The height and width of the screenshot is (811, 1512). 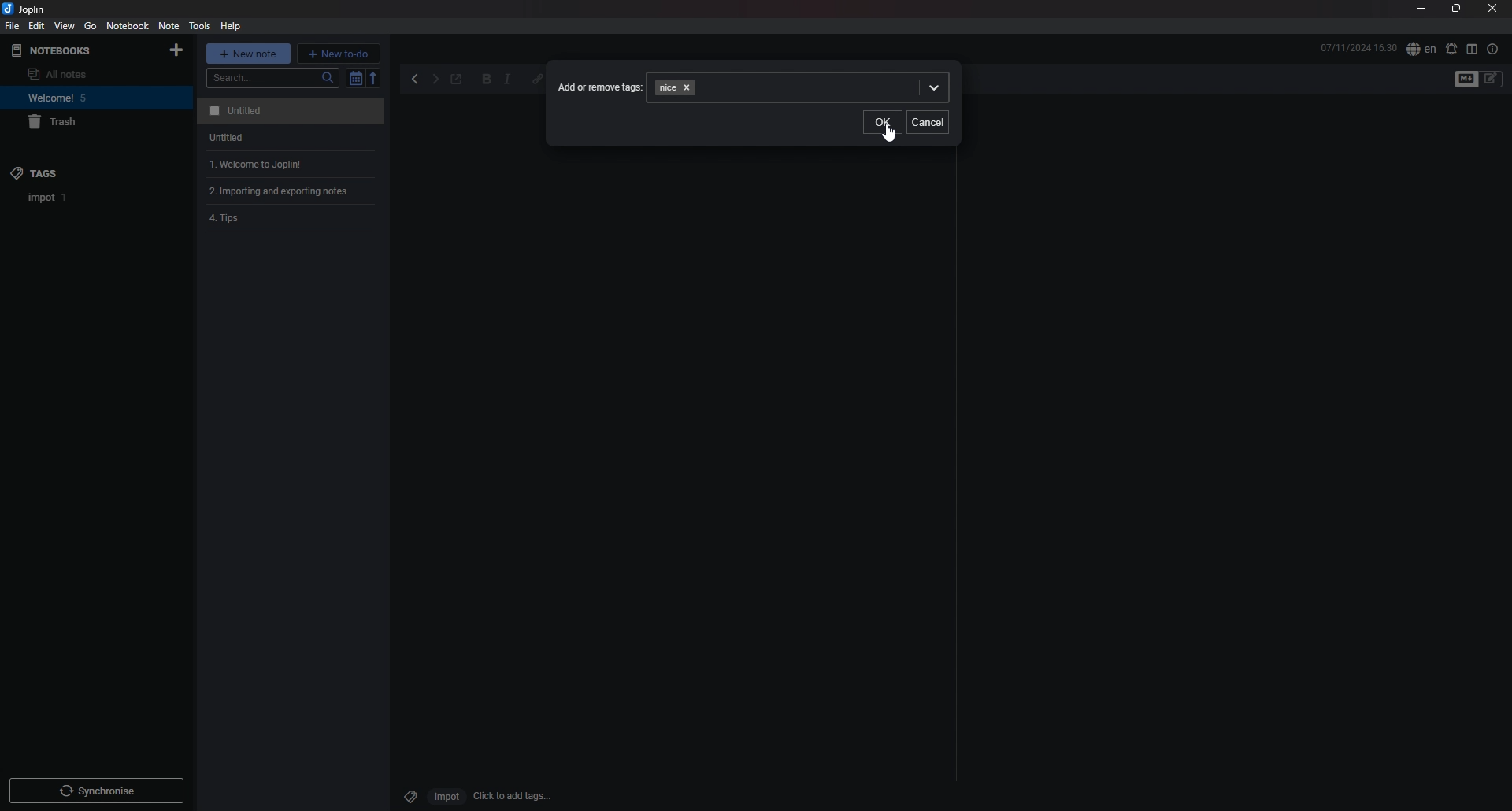 I want to click on Untitled, so click(x=288, y=111).